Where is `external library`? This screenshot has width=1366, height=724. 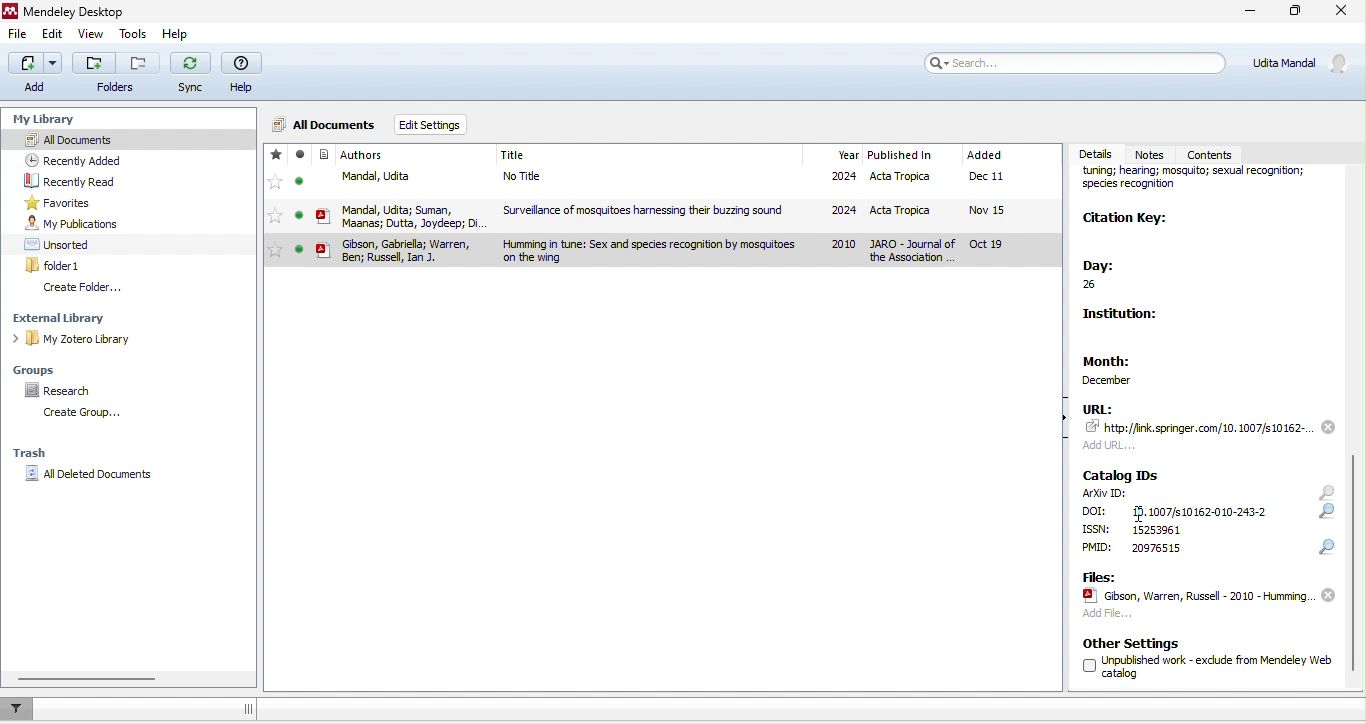
external library is located at coordinates (69, 318).